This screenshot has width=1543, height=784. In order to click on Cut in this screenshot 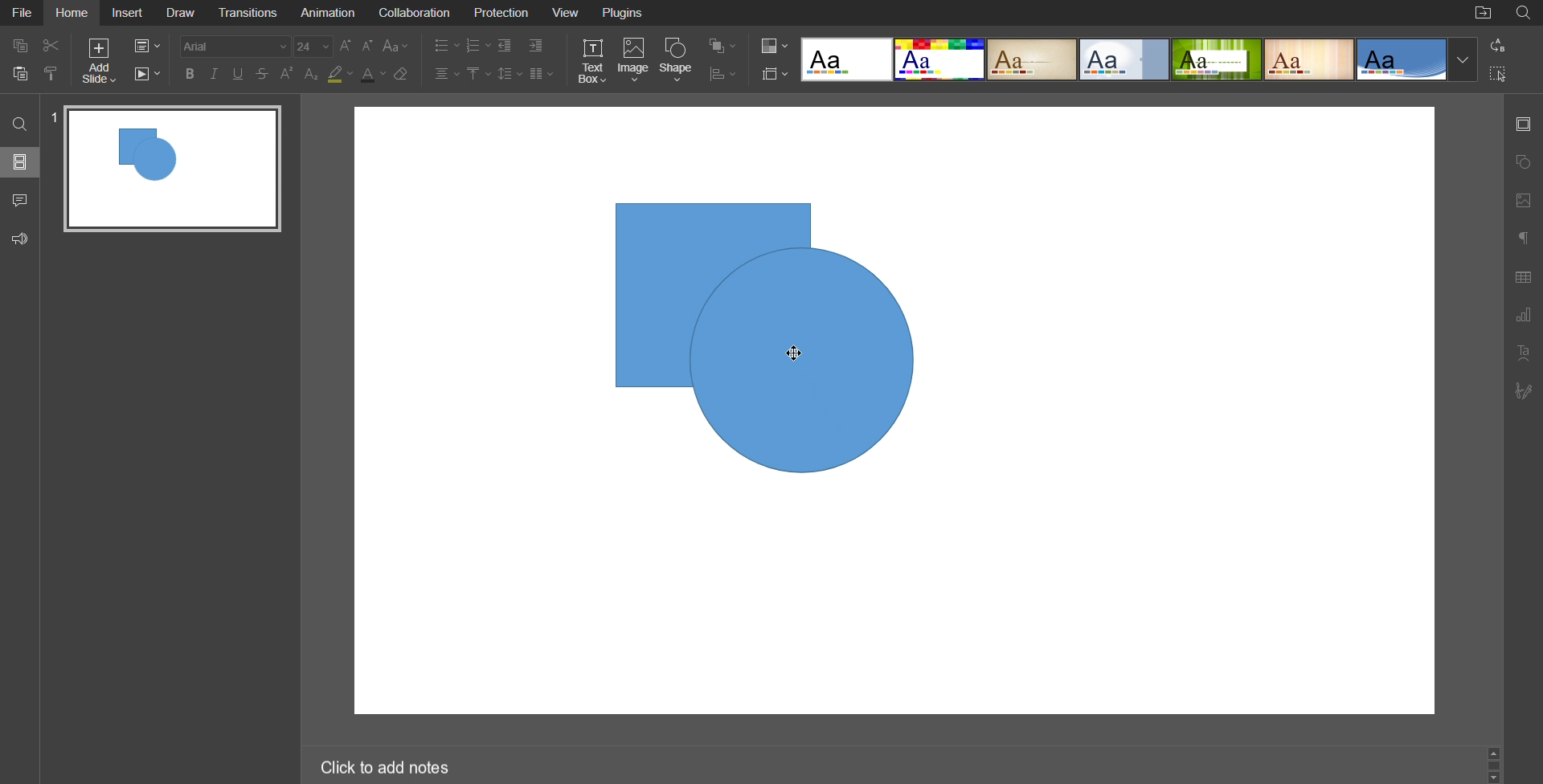, I will do `click(51, 47)`.